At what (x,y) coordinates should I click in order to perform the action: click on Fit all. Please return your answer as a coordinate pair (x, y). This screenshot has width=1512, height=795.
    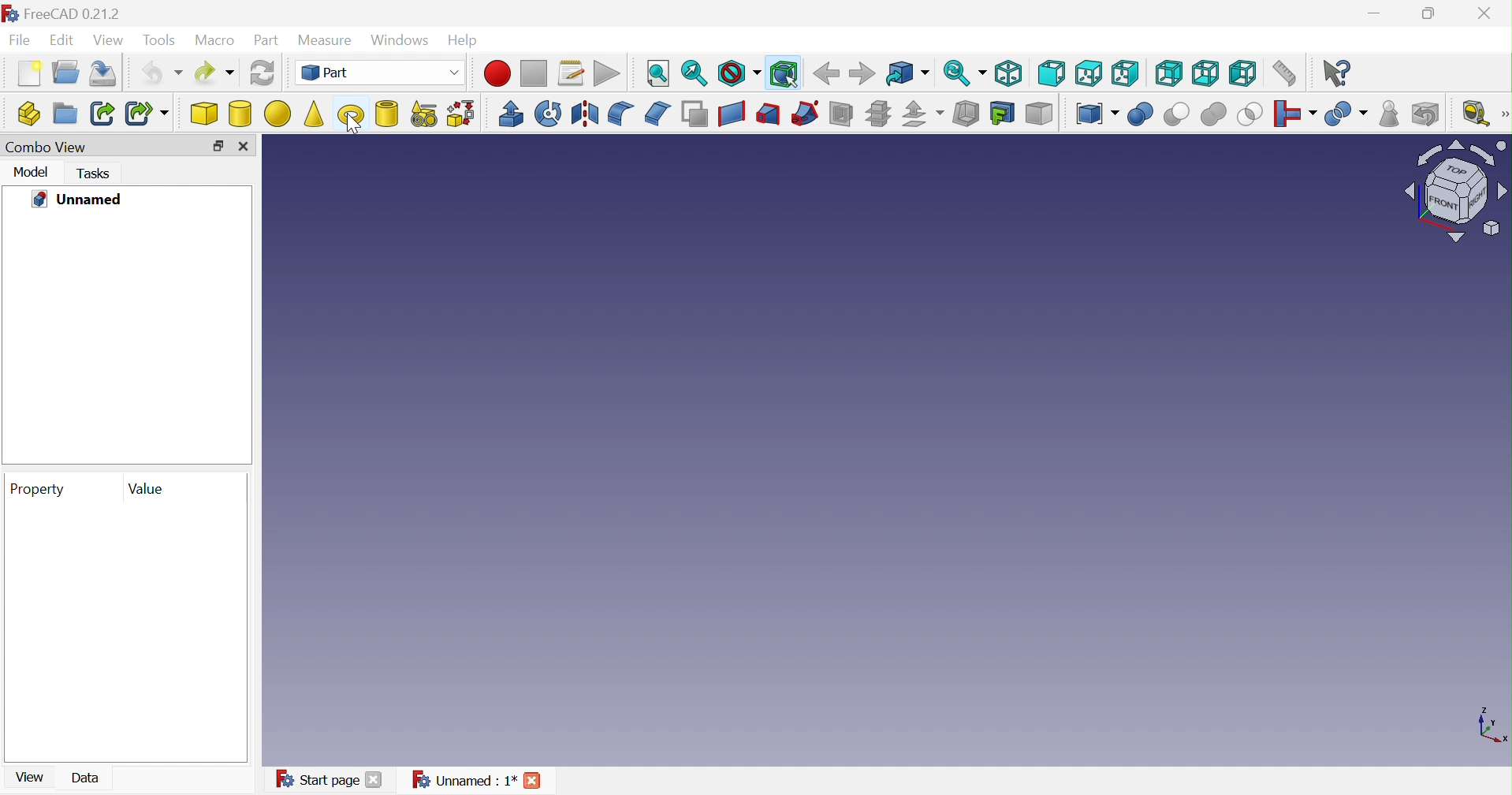
    Looking at the image, I should click on (657, 73).